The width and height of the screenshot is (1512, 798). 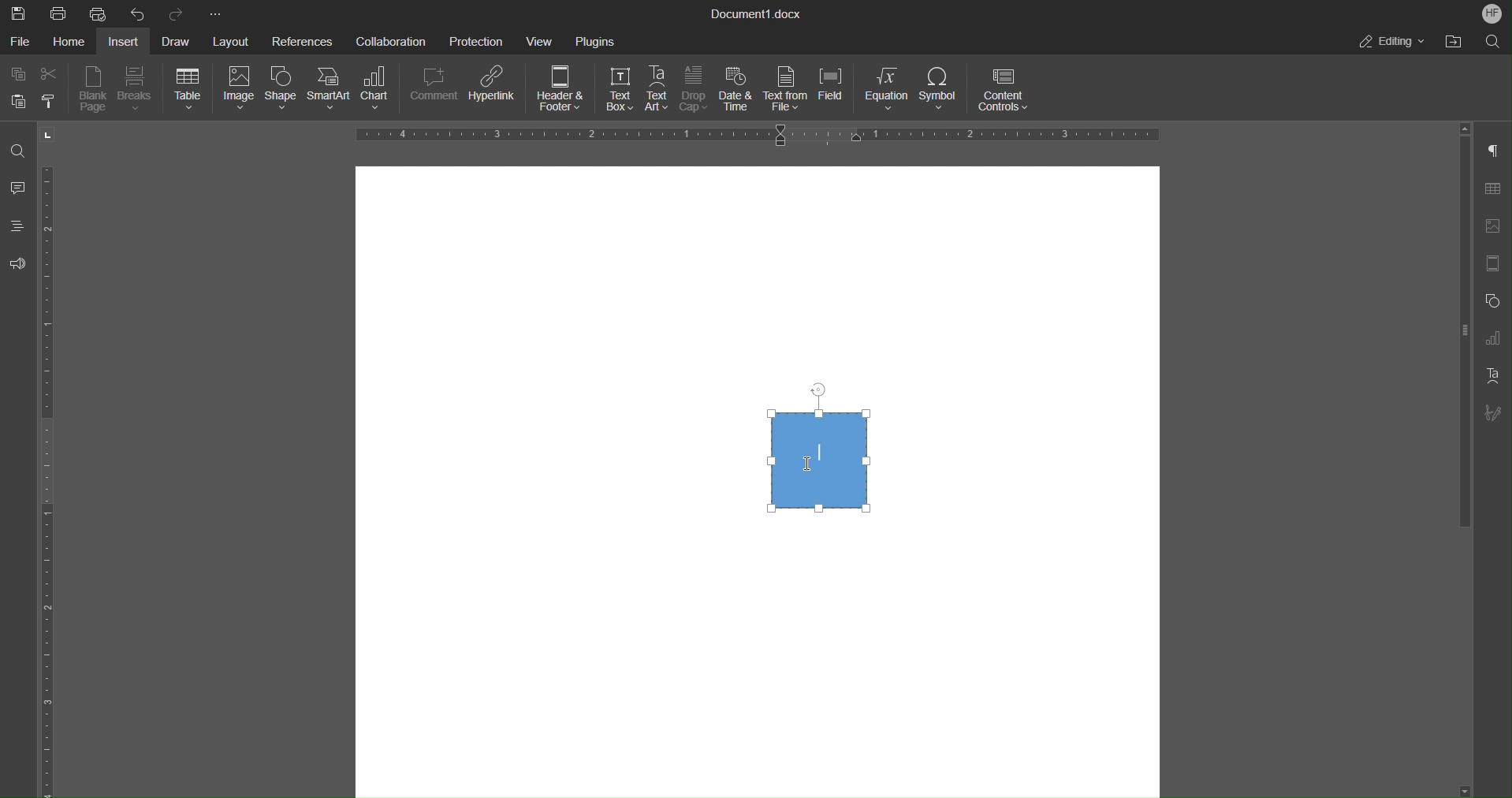 I want to click on Plugins, so click(x=595, y=40).